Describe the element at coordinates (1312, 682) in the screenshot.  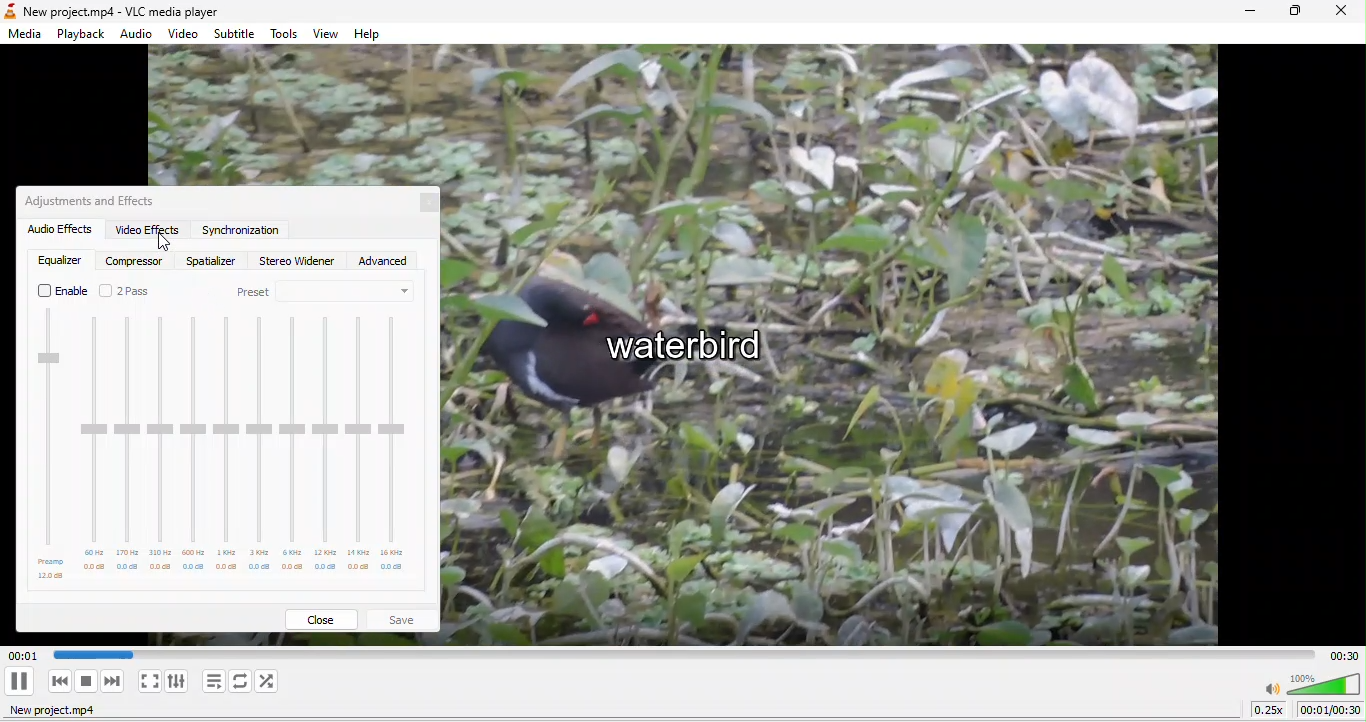
I see `volume` at that location.